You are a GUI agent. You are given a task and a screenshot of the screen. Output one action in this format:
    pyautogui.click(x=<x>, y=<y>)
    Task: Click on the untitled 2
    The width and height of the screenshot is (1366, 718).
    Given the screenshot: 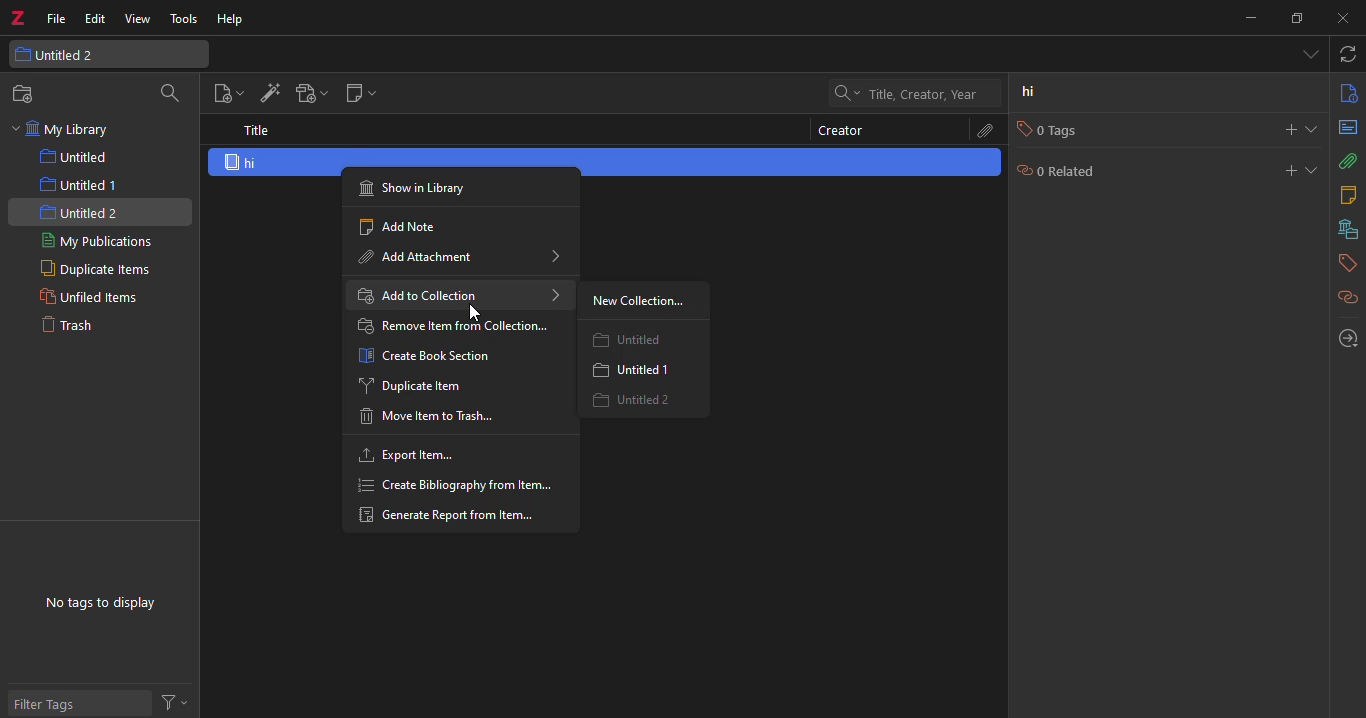 What is the action you would take?
    pyautogui.click(x=87, y=210)
    